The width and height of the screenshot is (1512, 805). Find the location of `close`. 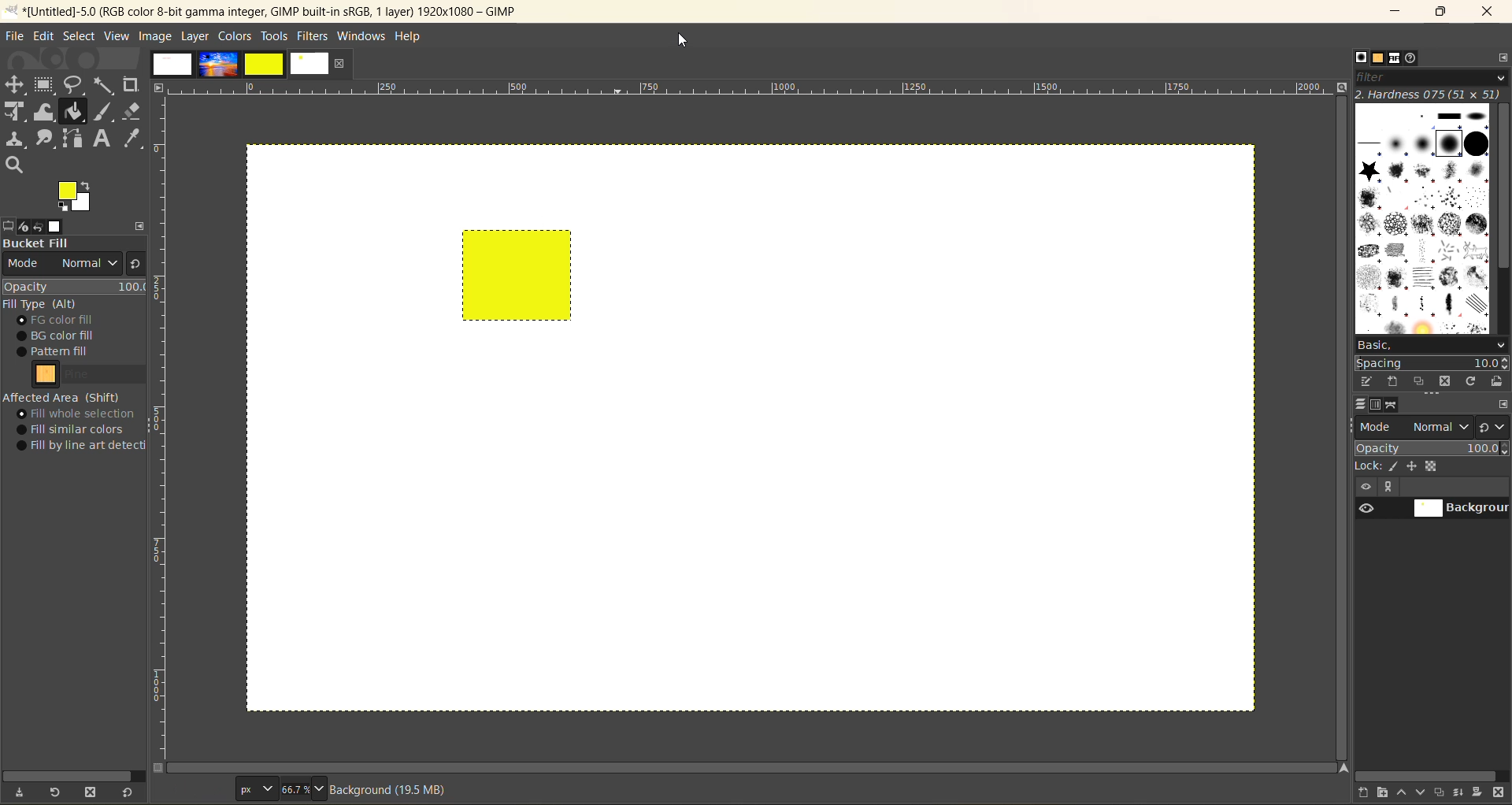

close is located at coordinates (340, 65).